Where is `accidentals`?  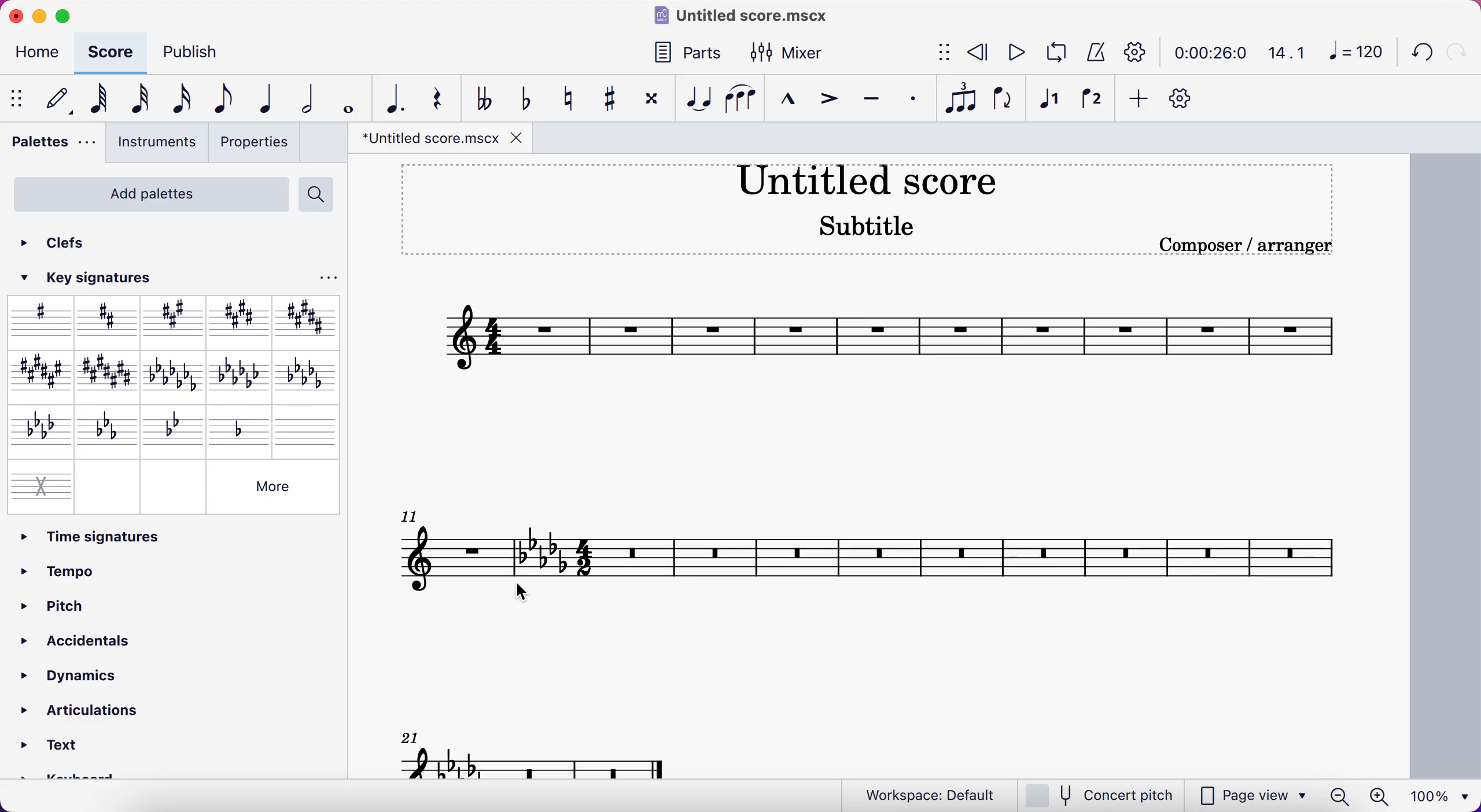 accidentals is located at coordinates (99, 640).